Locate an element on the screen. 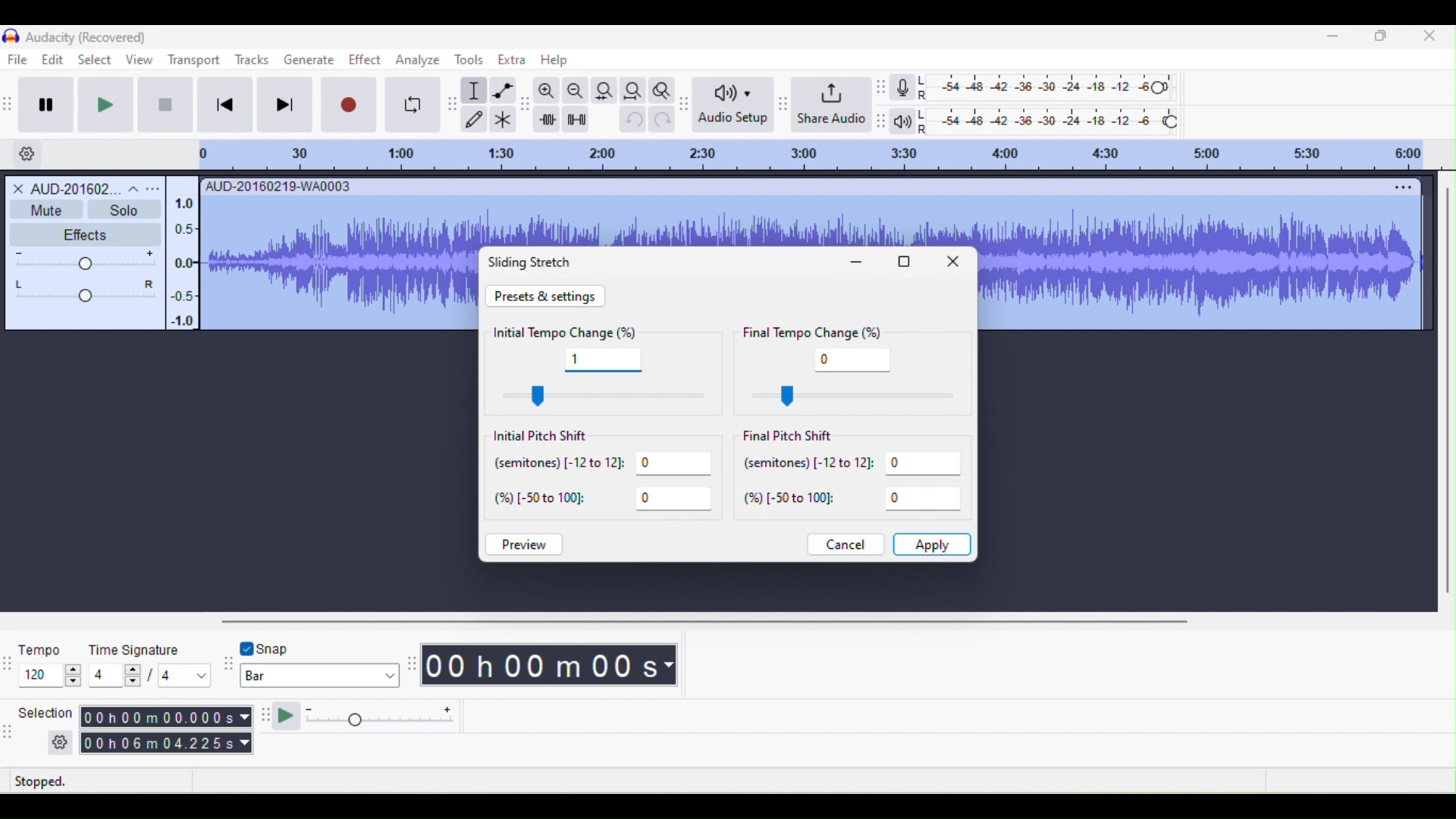 The height and width of the screenshot is (819, 1456). envelope tool is located at coordinates (504, 90).